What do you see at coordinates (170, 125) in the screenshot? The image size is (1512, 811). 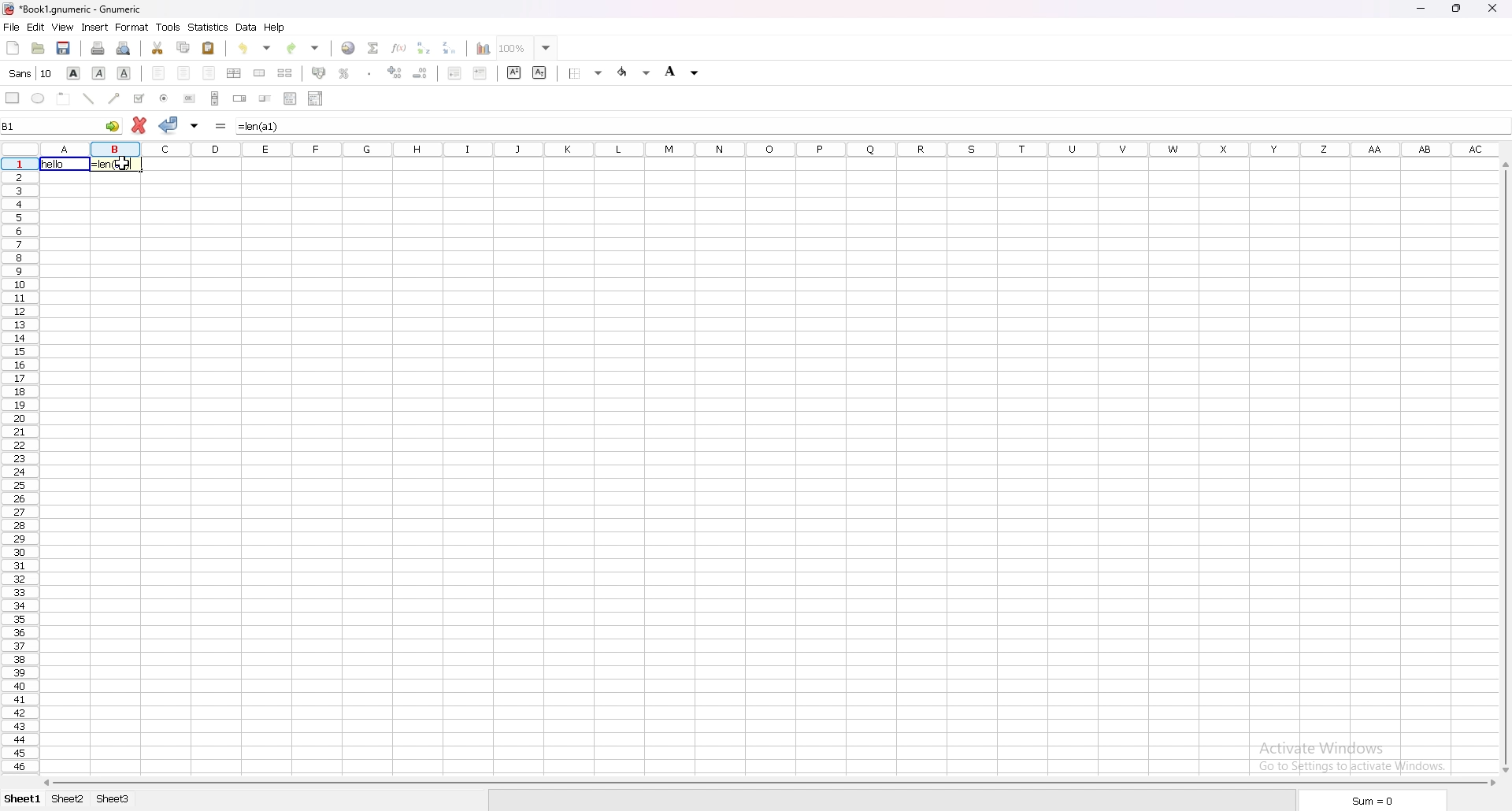 I see `accept change` at bounding box center [170, 125].